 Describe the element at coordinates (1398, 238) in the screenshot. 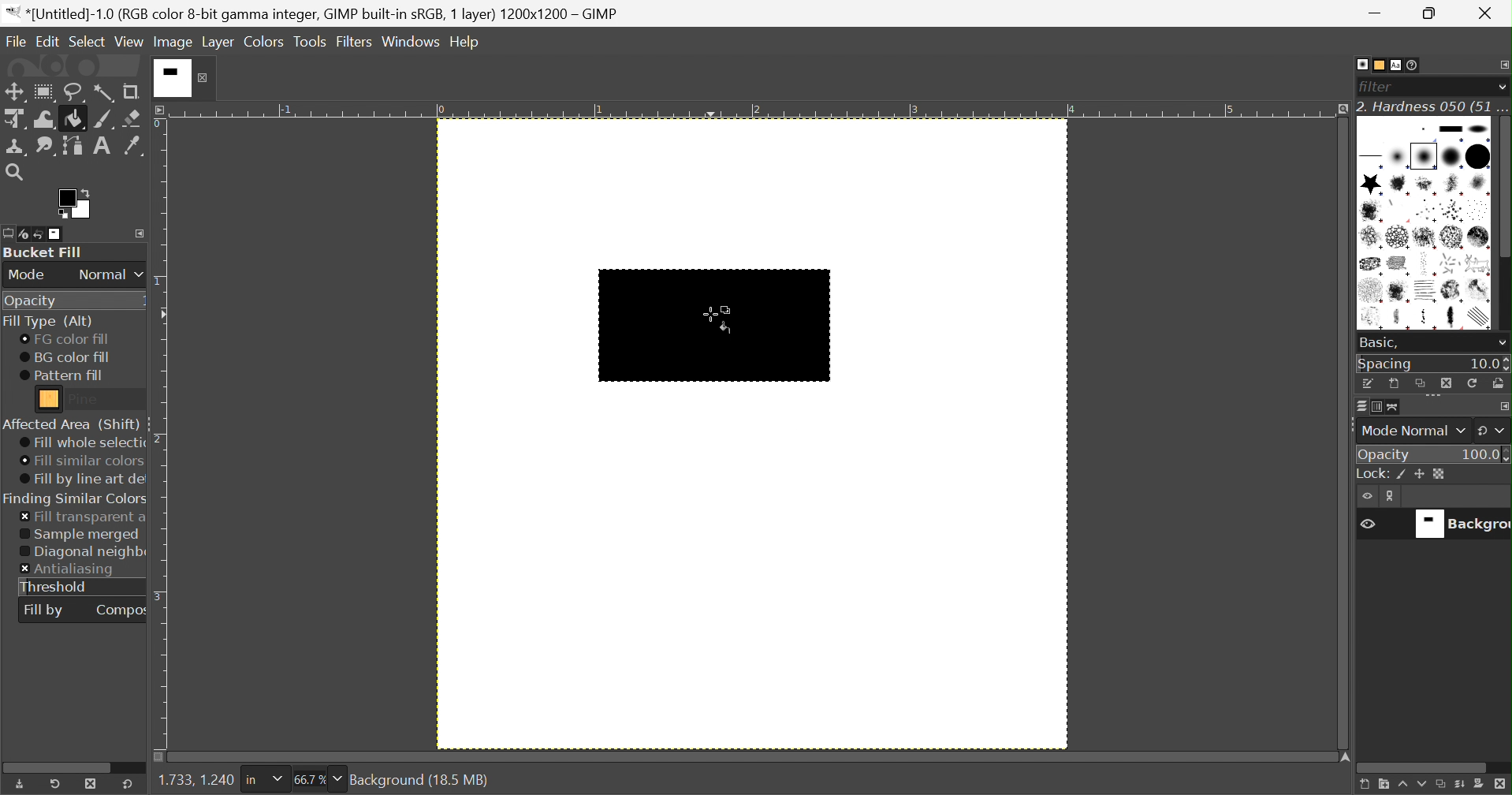

I see `Cell 02` at that location.